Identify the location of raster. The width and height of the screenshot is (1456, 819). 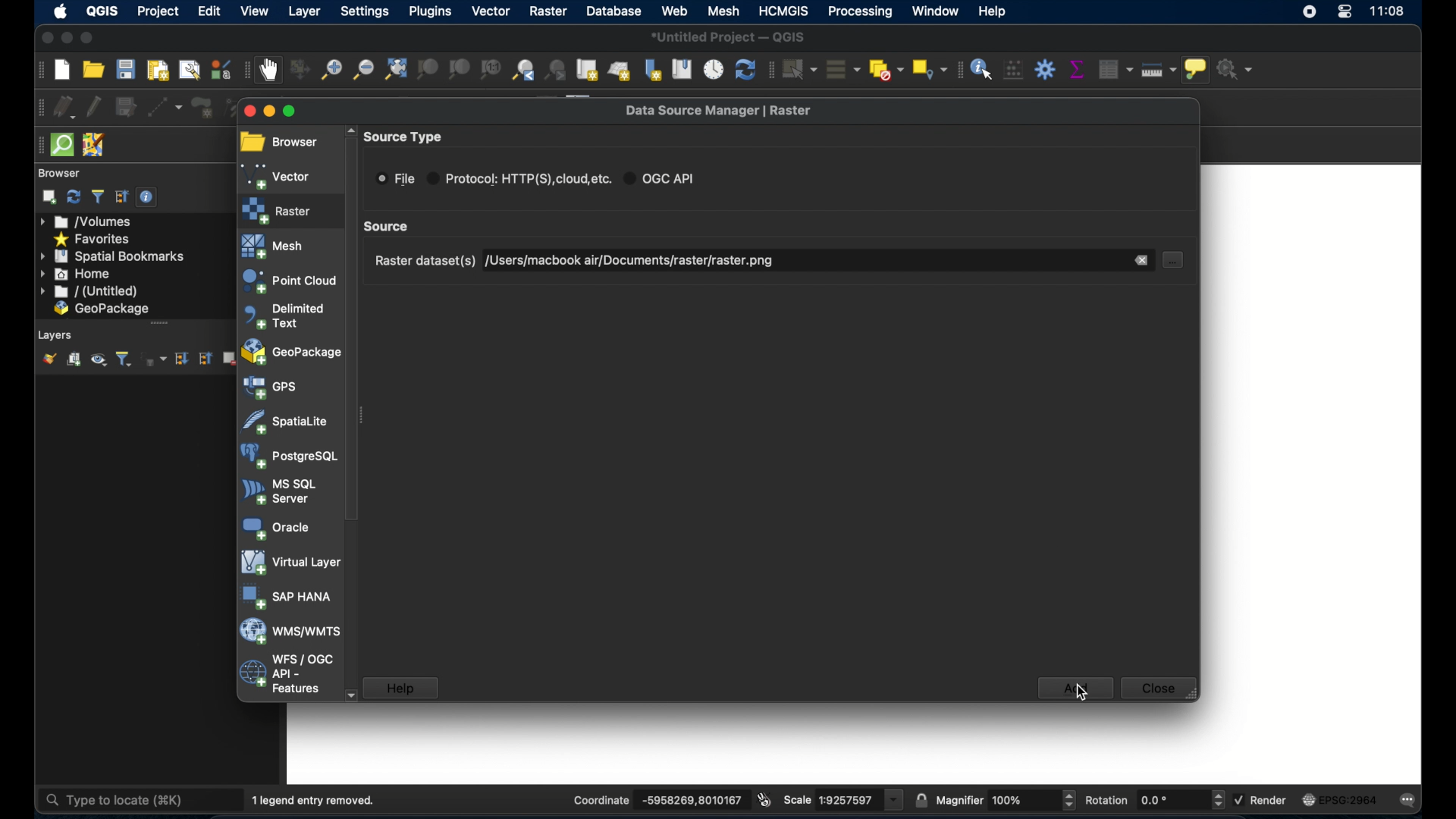
(281, 210).